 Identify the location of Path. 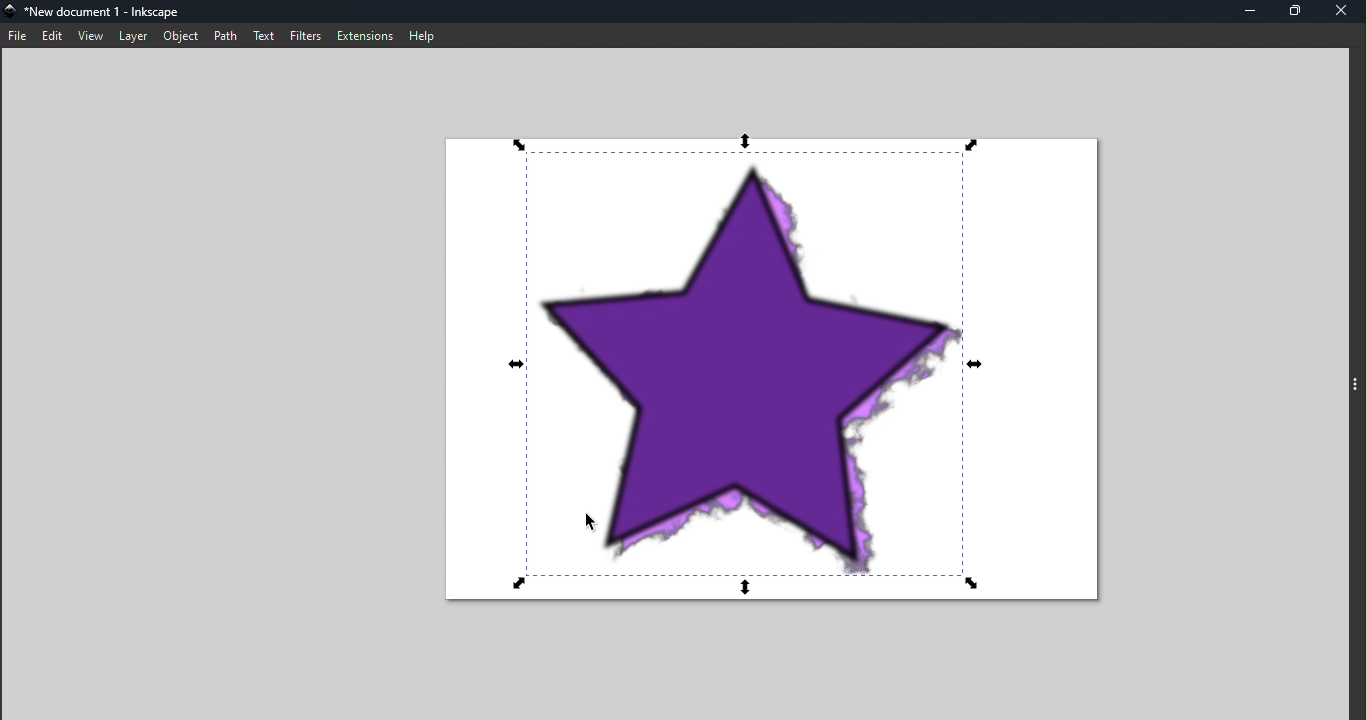
(228, 34).